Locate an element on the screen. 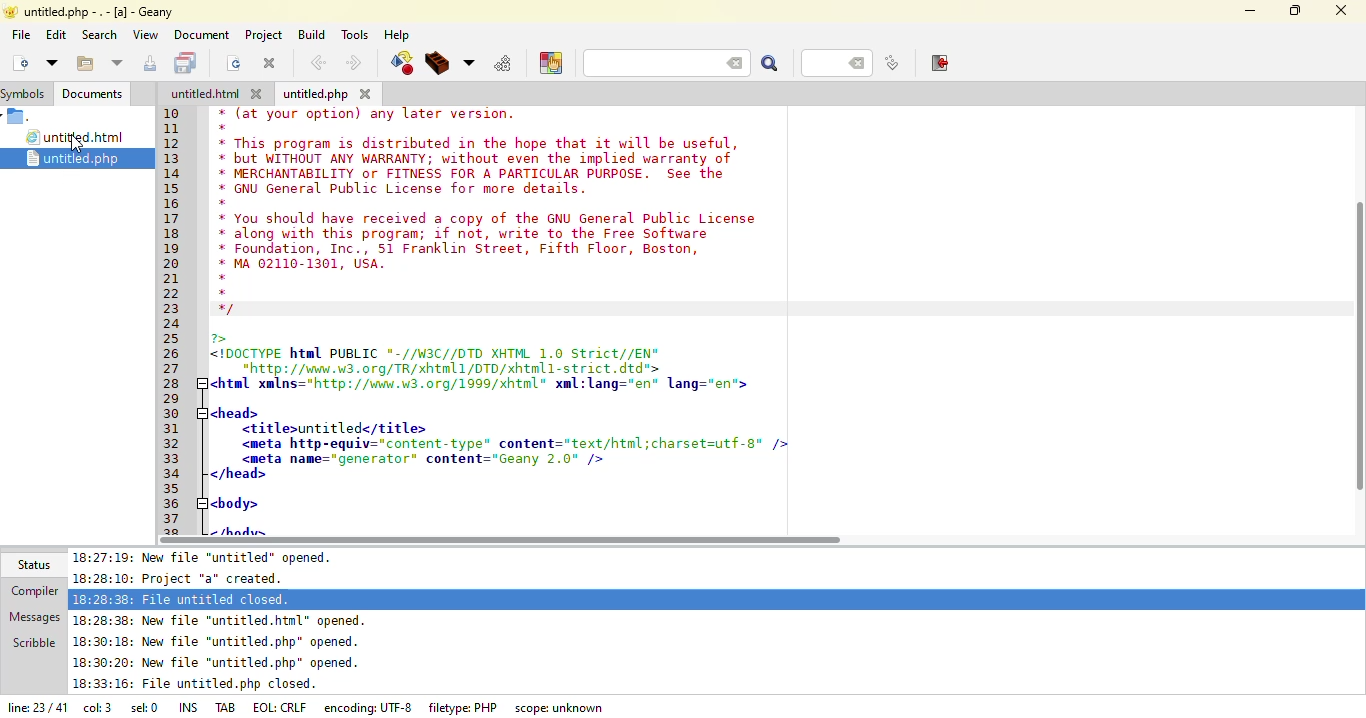 The width and height of the screenshot is (1366, 718). ins is located at coordinates (183, 707).